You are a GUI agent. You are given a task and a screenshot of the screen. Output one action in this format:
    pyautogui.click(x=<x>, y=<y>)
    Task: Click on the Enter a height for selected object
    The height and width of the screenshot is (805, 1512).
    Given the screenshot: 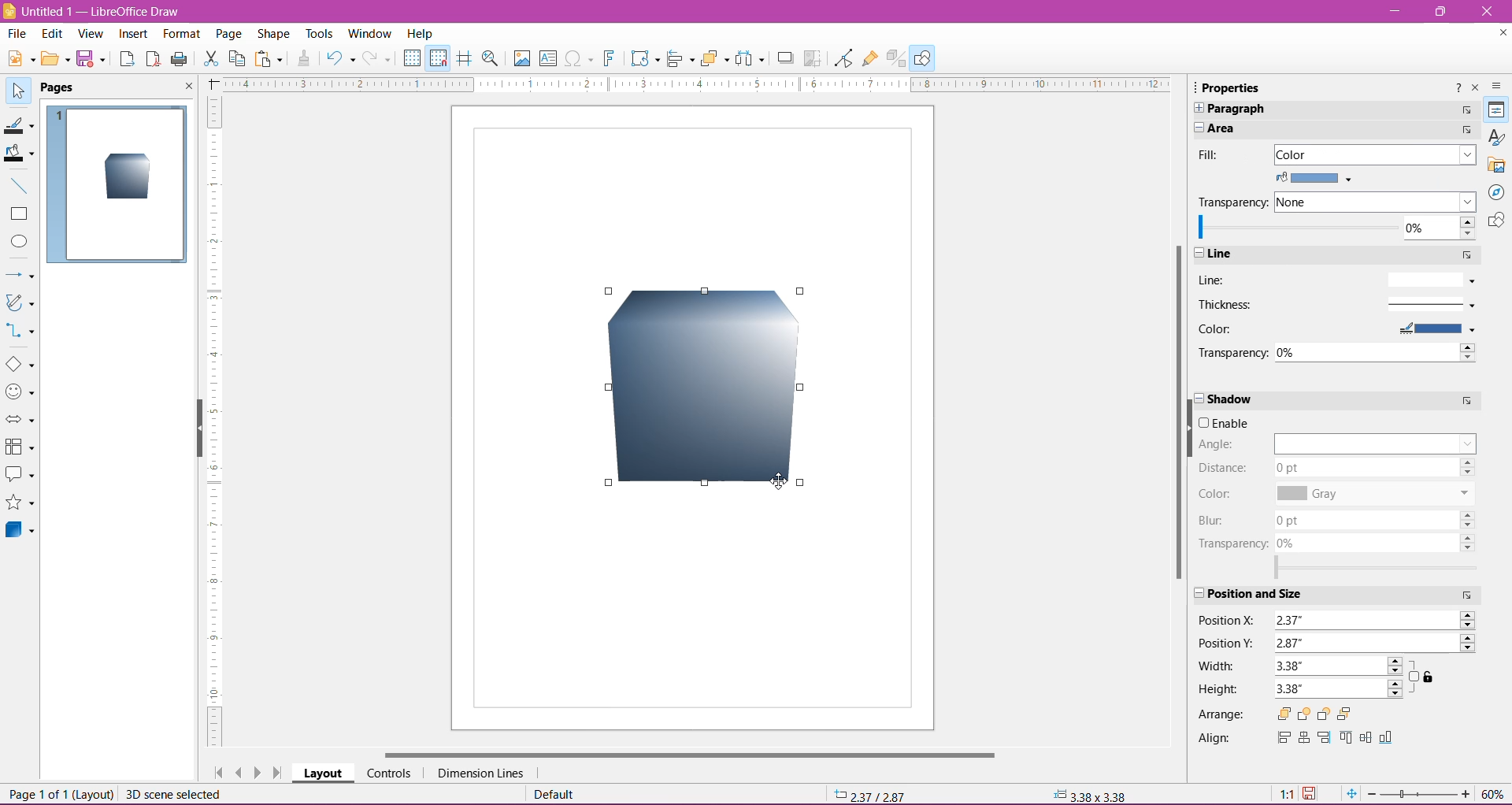 What is the action you would take?
    pyautogui.click(x=1338, y=689)
    